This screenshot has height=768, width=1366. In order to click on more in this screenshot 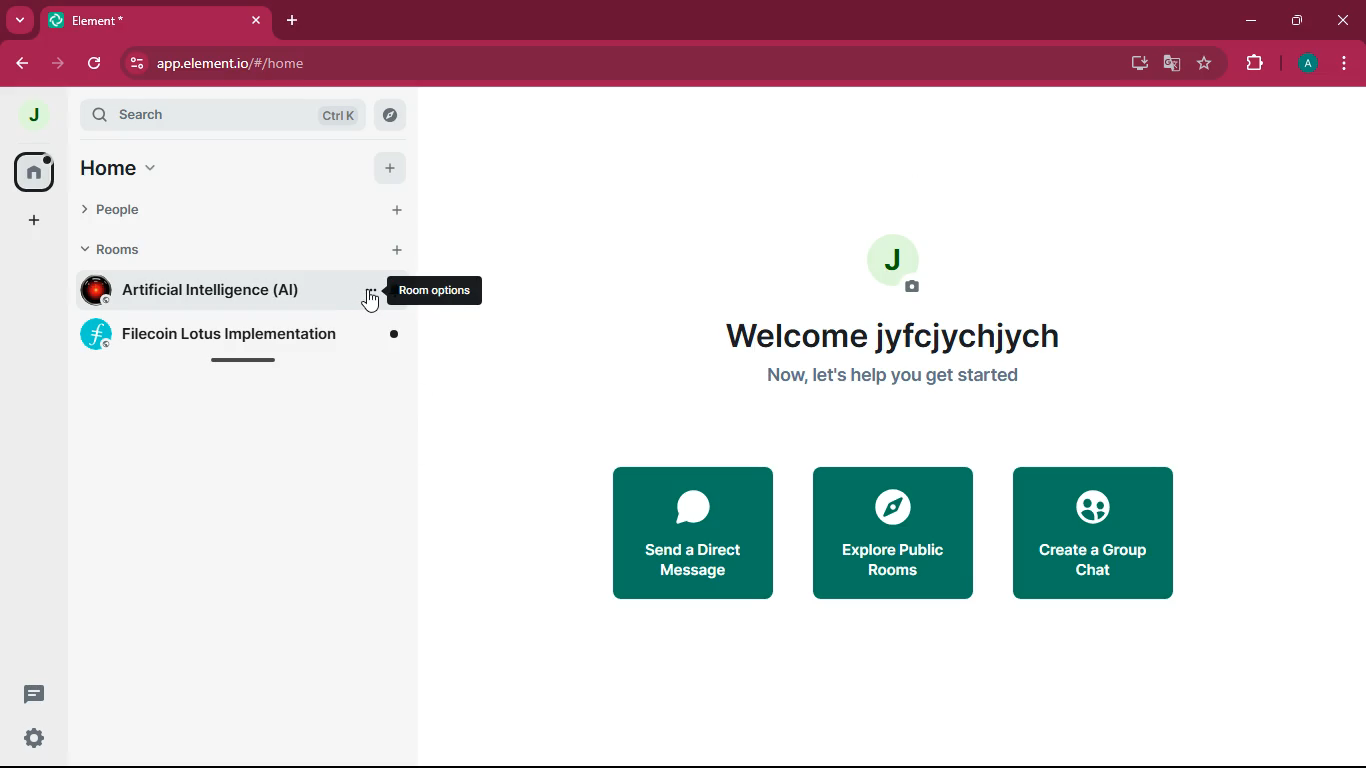, I will do `click(21, 22)`.